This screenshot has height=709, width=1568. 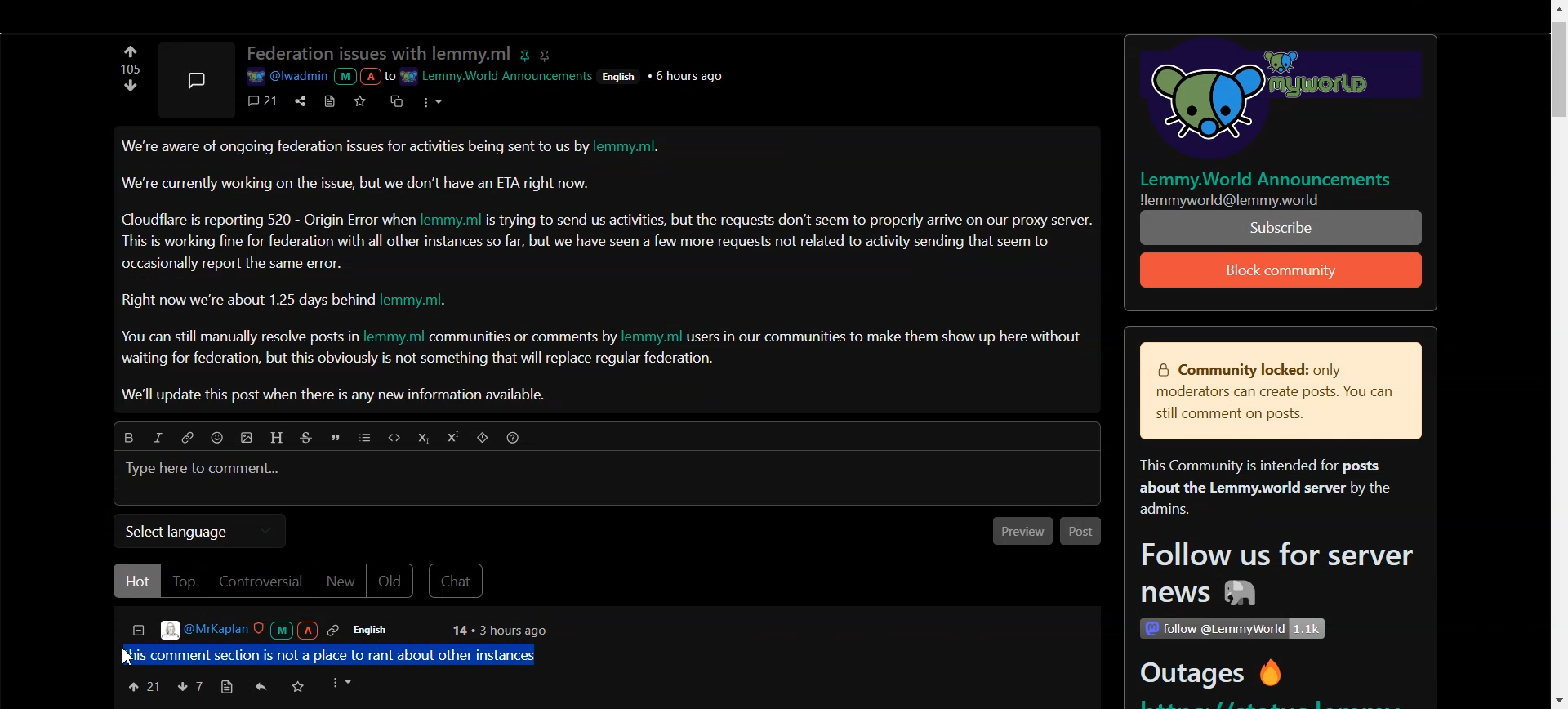 I want to click on this comment section is not a place to rant about other instances, so click(x=331, y=654).